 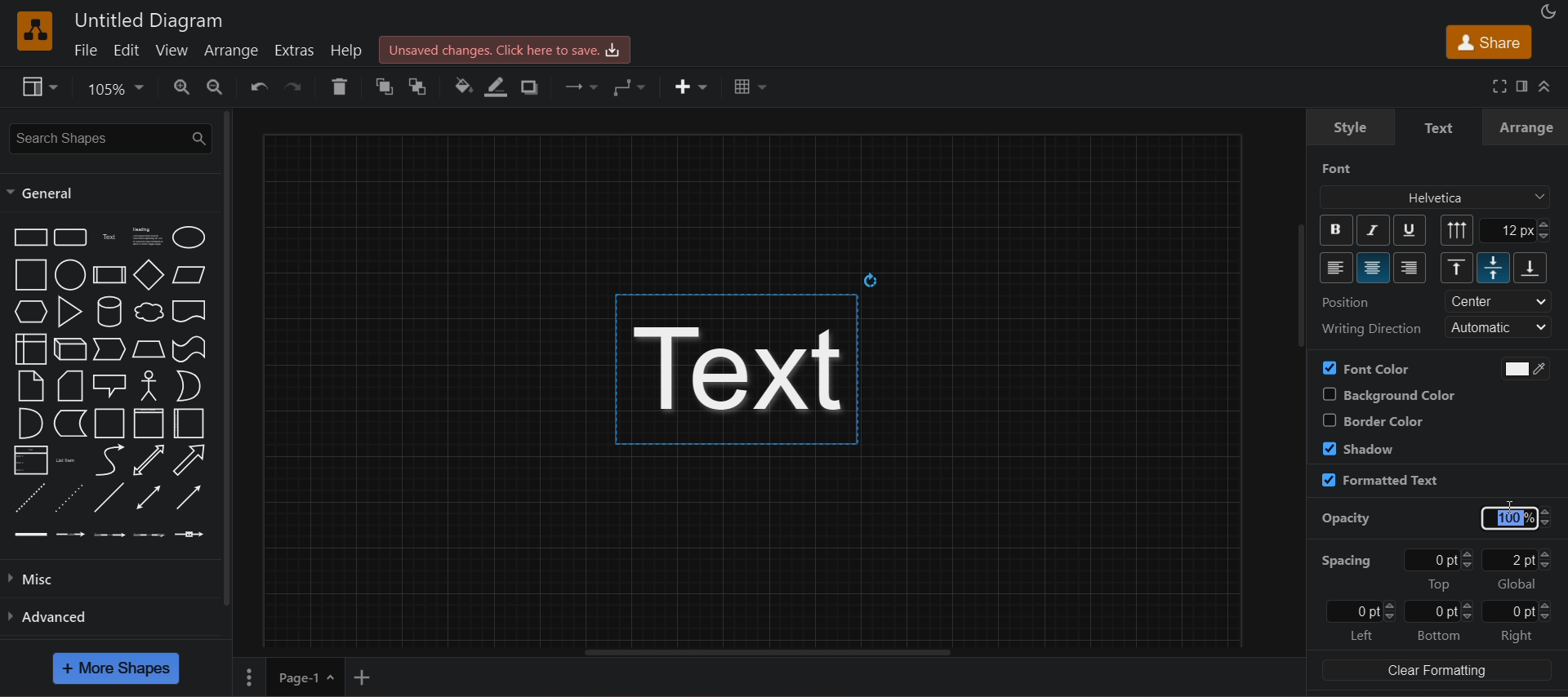 I want to click on circle, so click(x=71, y=275).